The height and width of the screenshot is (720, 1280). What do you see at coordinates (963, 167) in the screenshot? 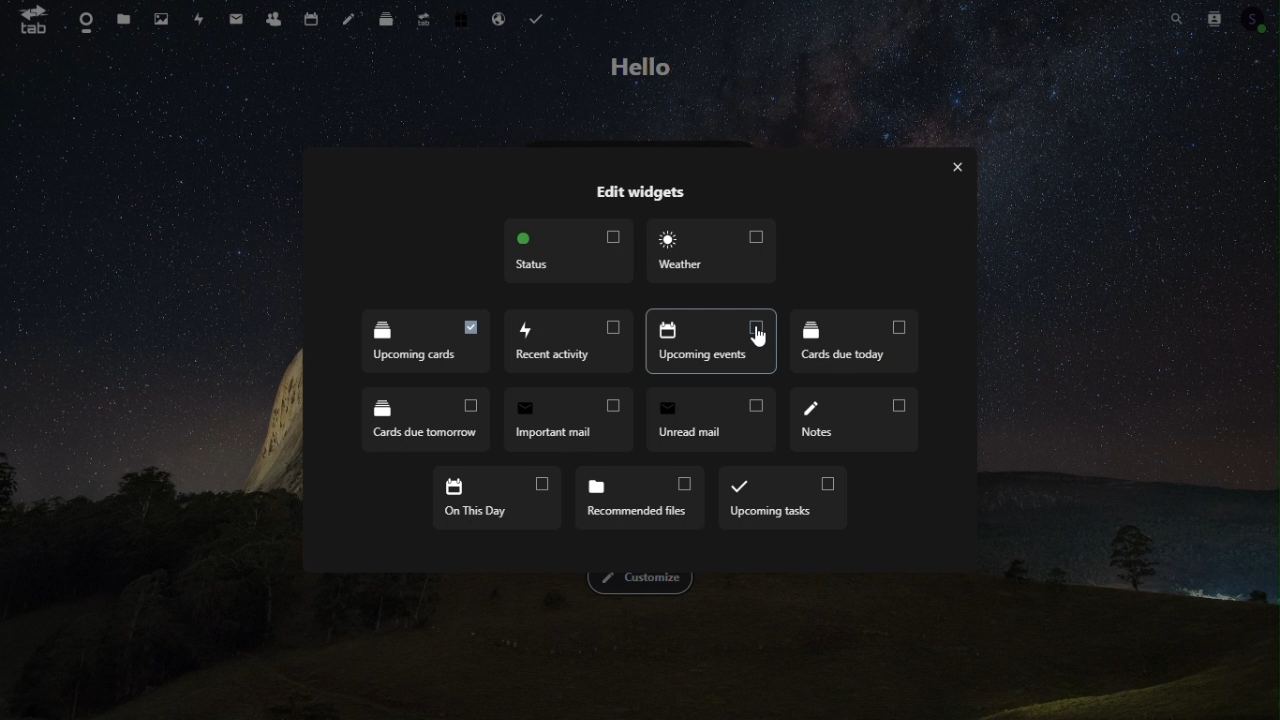
I see `close` at bounding box center [963, 167].